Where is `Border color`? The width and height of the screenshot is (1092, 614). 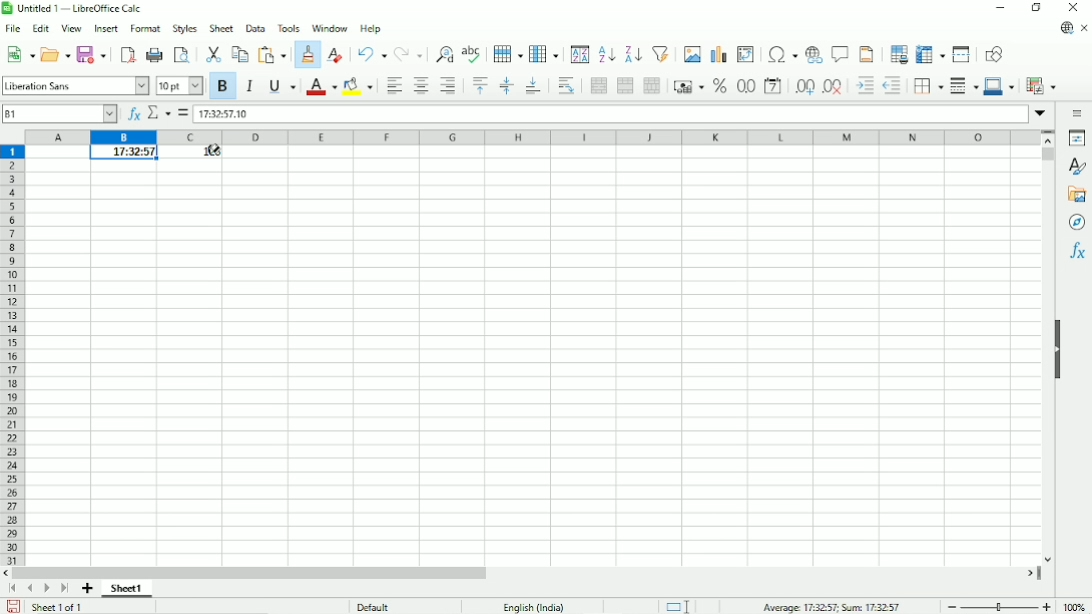
Border color is located at coordinates (1000, 87).